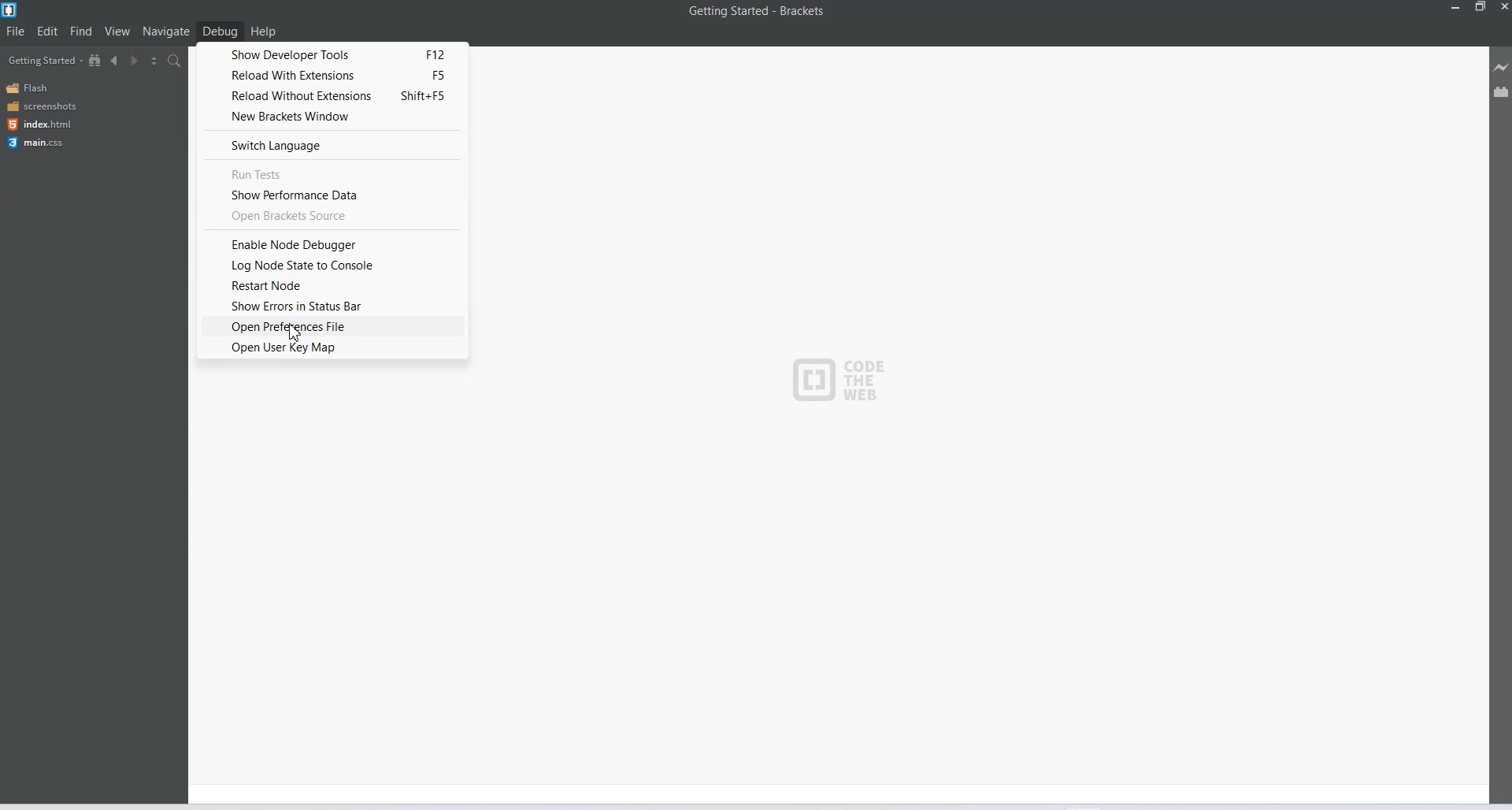 The height and width of the screenshot is (810, 1512). Describe the element at coordinates (333, 96) in the screenshot. I see `Reload Without Extensions Shift+F5` at that location.